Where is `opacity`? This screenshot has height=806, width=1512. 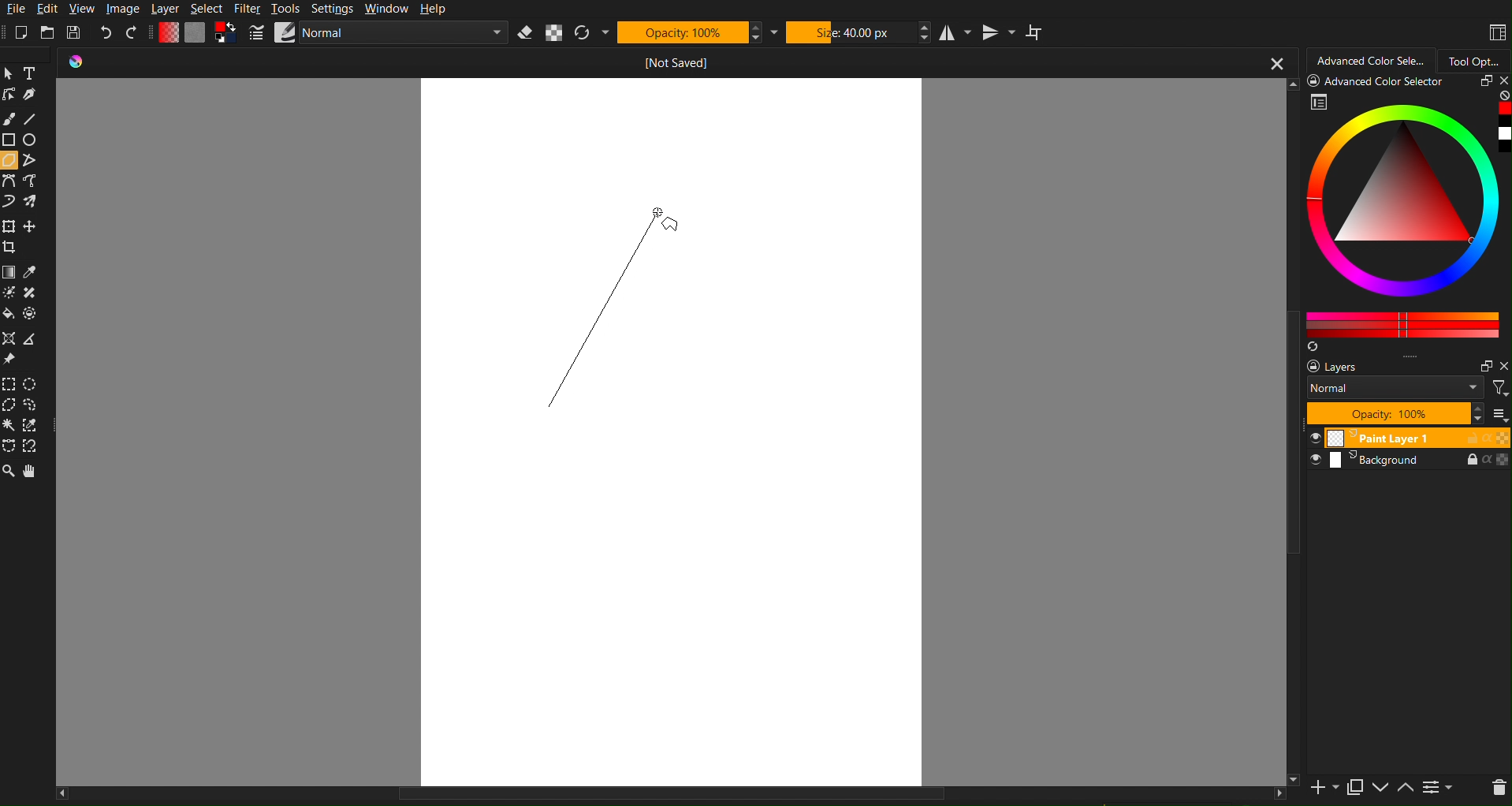
opacity is located at coordinates (1393, 414).